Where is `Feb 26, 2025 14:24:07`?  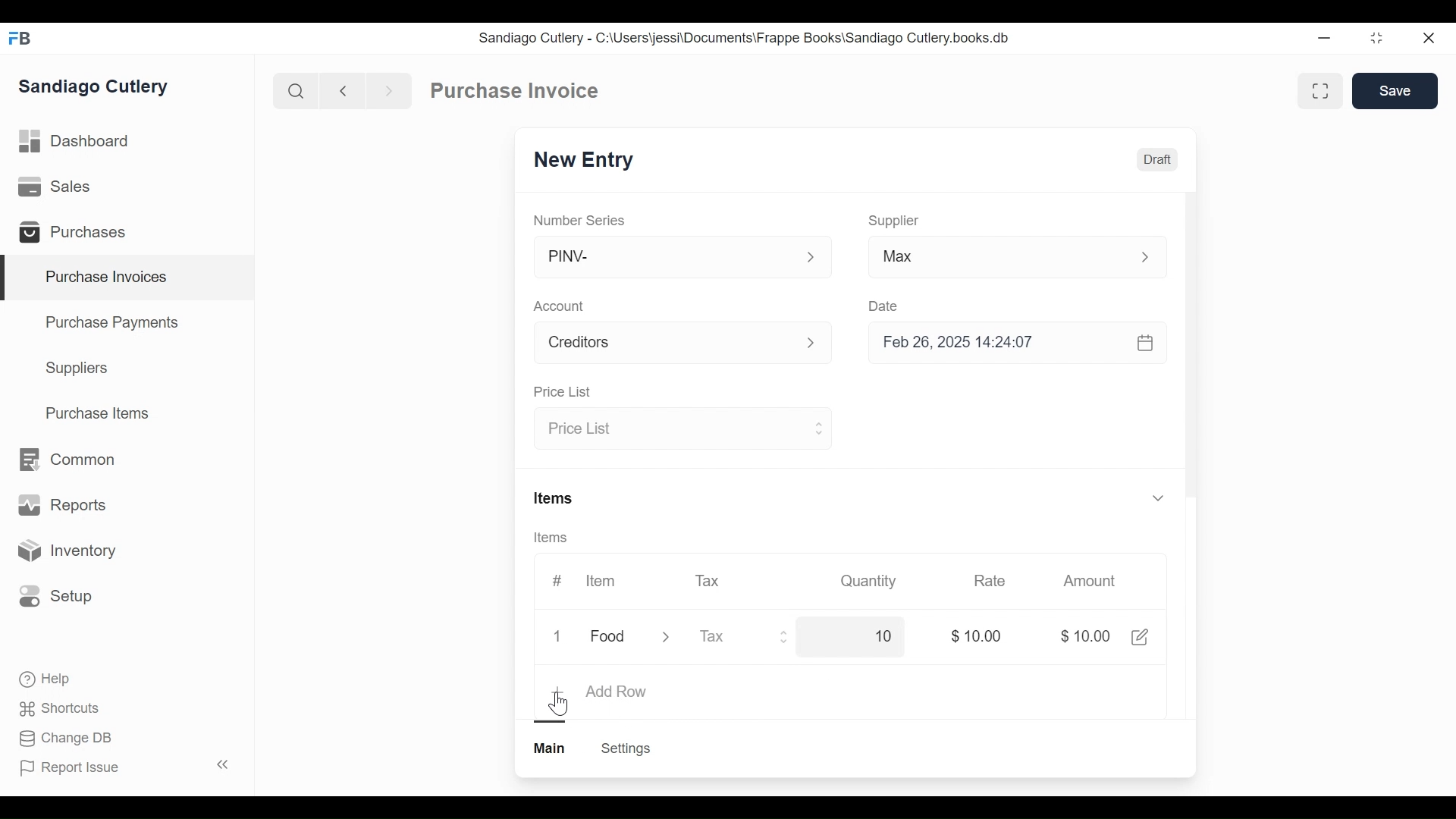
Feb 26, 2025 14:24:07 is located at coordinates (1009, 343).